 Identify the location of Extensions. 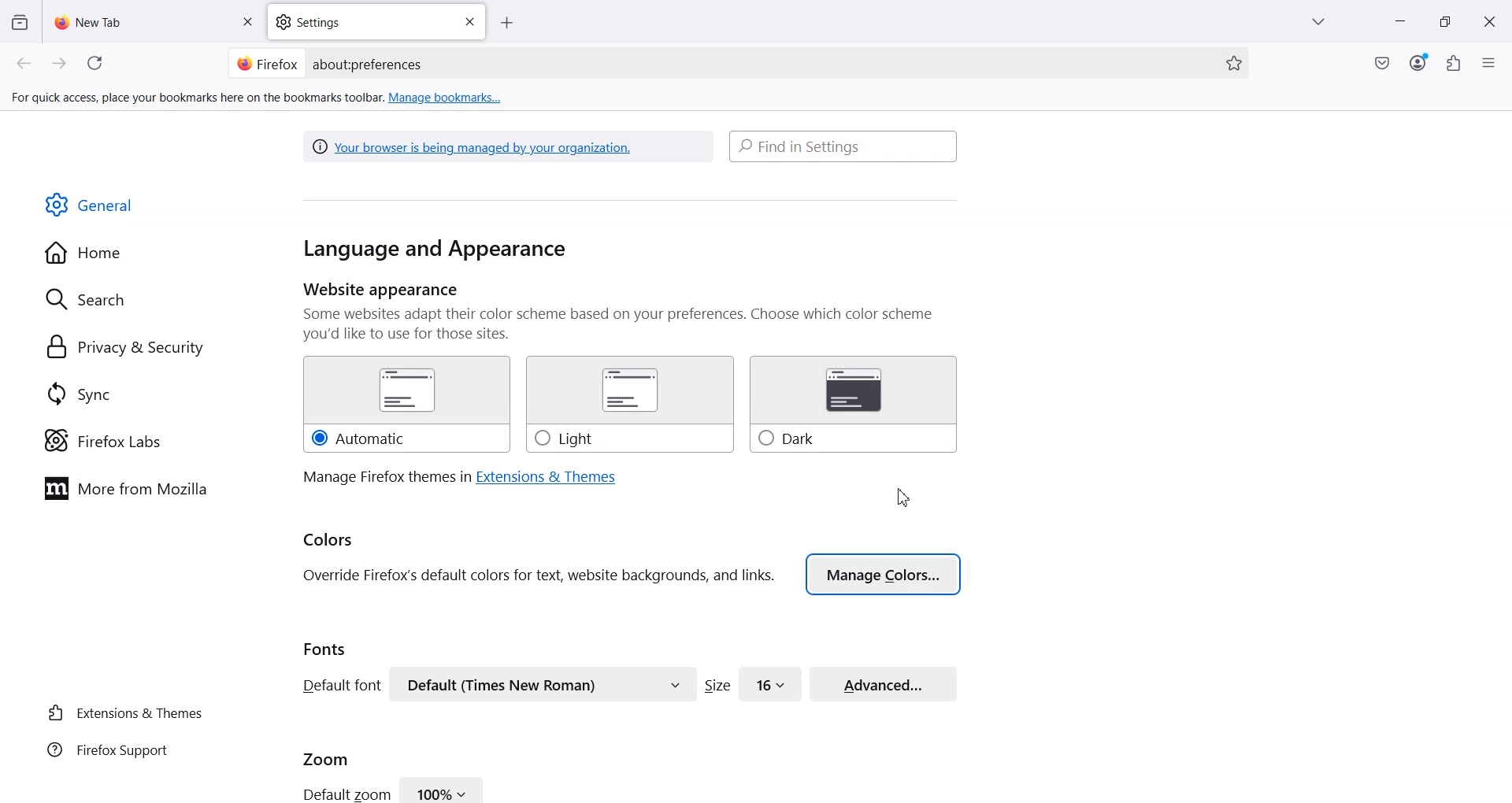
(1455, 63).